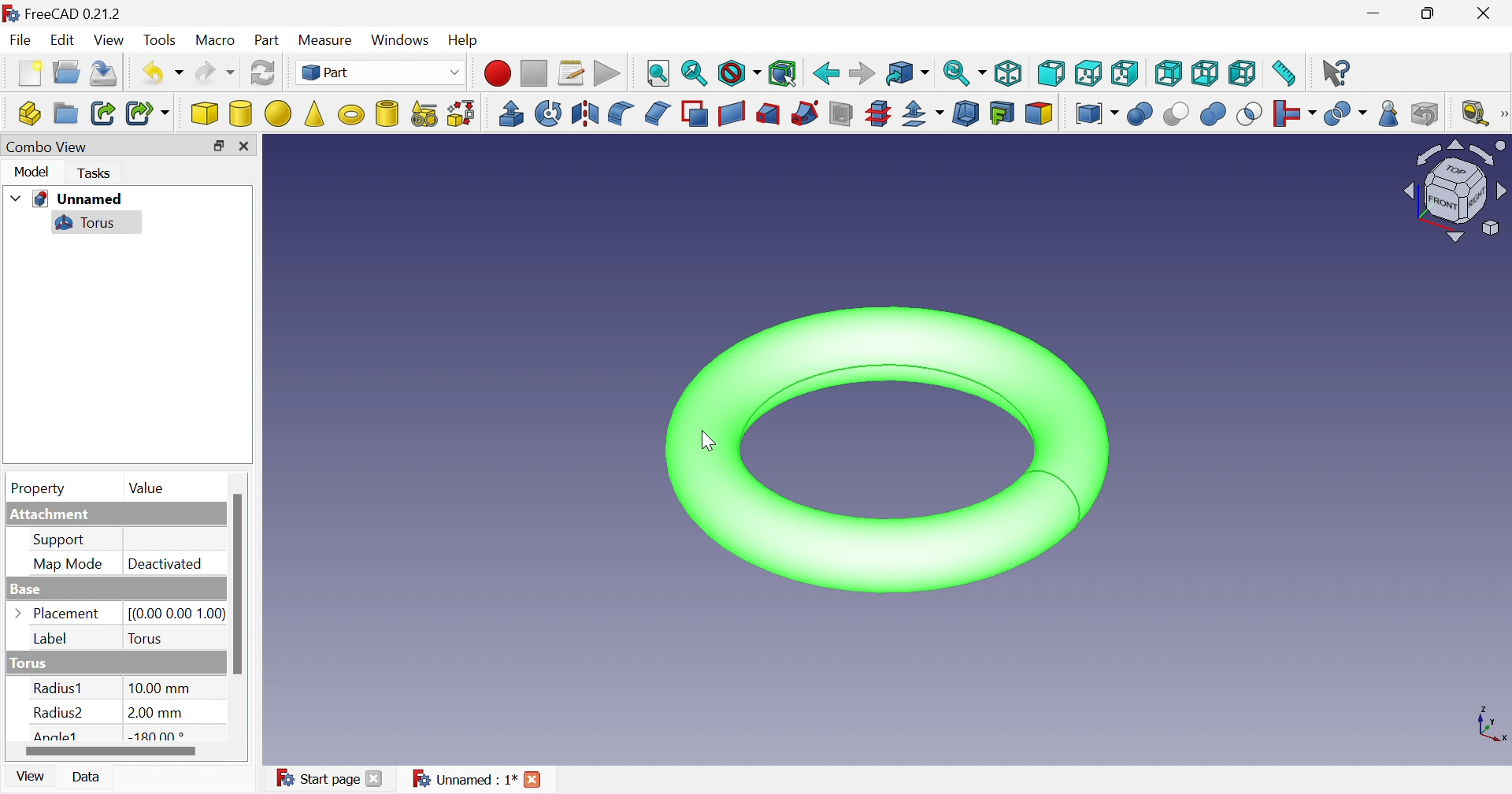 The height and width of the screenshot is (794, 1512). What do you see at coordinates (27, 663) in the screenshot?
I see `Torus` at bounding box center [27, 663].